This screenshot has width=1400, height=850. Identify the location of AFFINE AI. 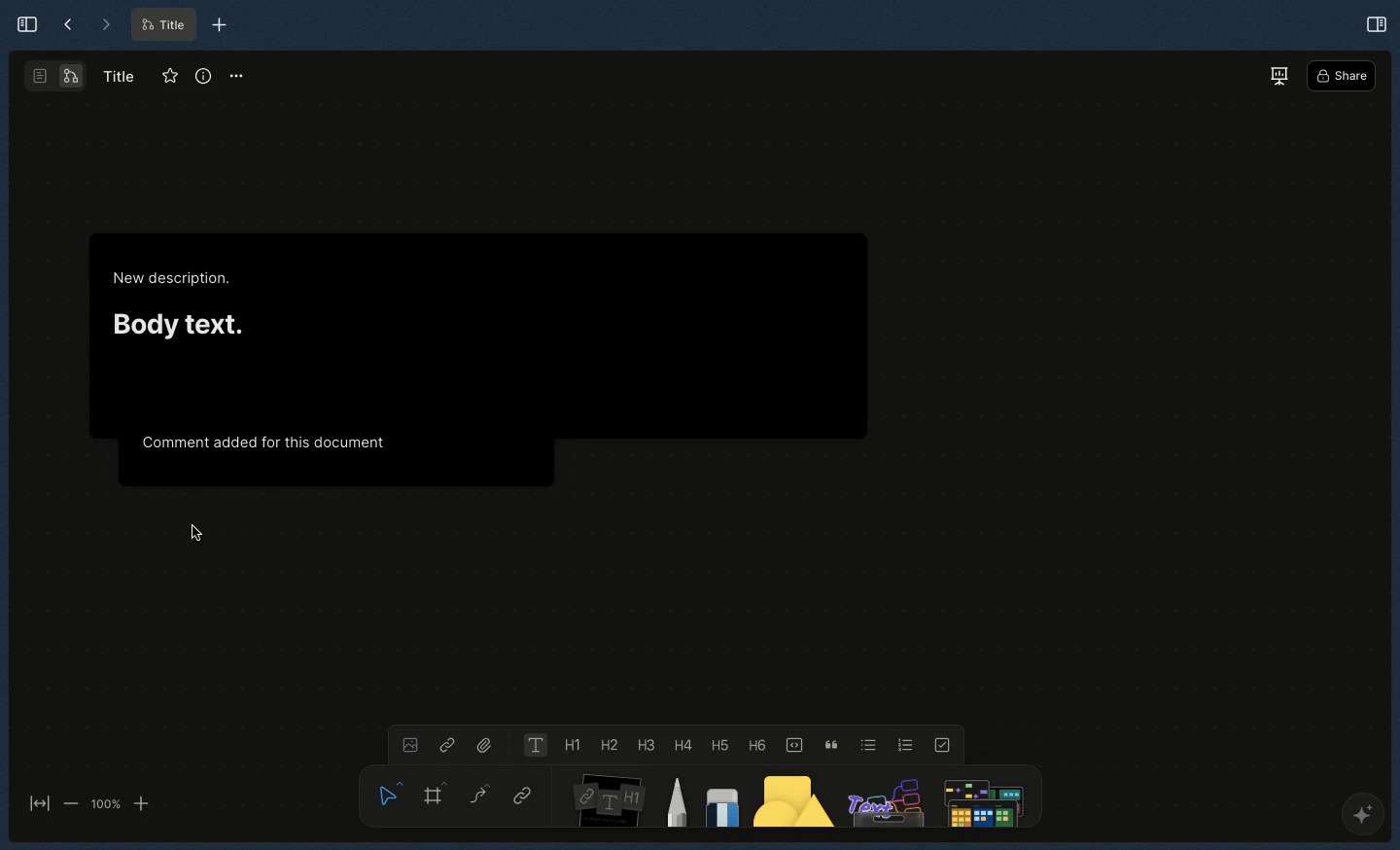
(1359, 818).